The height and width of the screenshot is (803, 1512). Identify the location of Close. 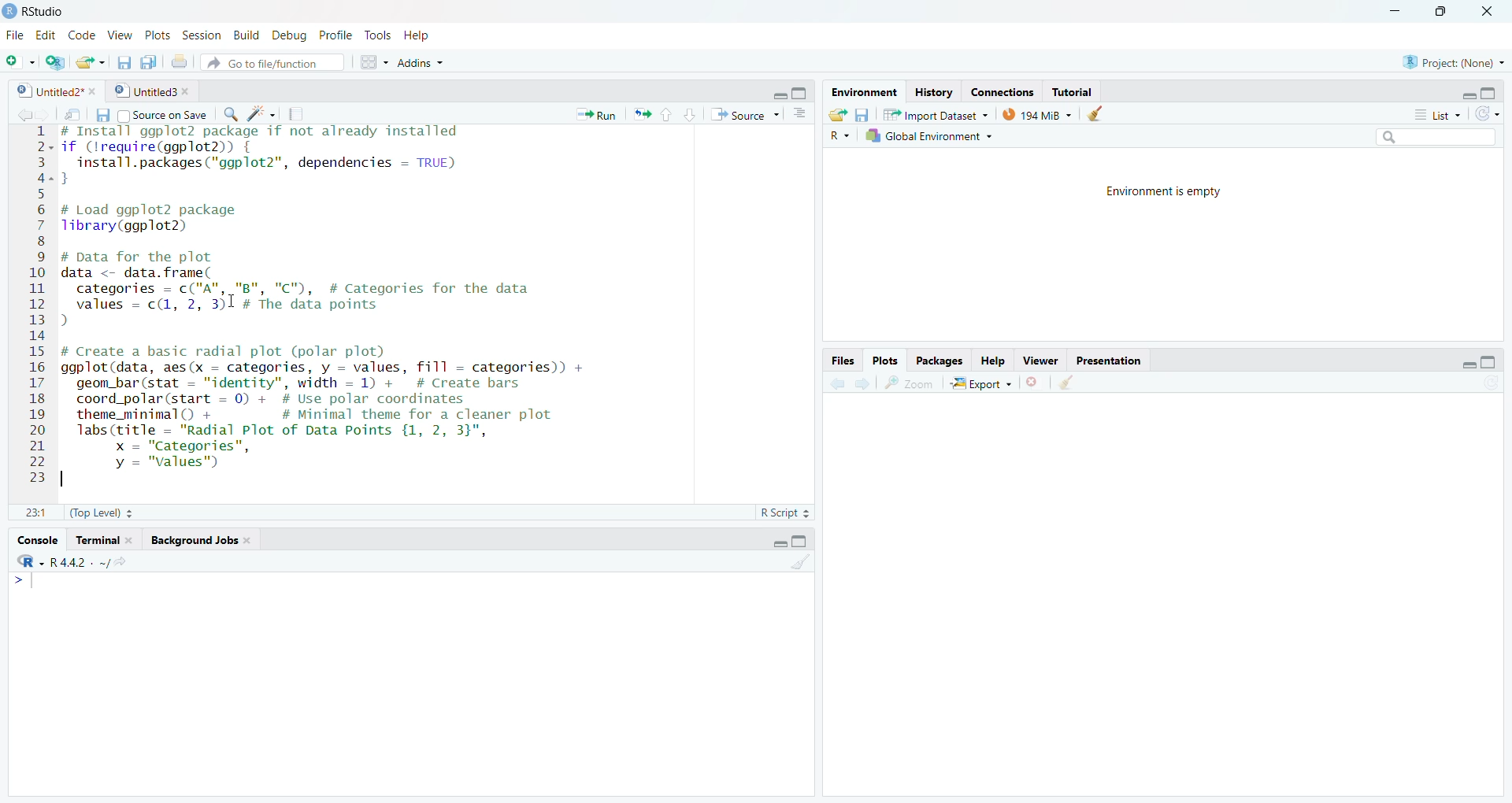
(1485, 11).